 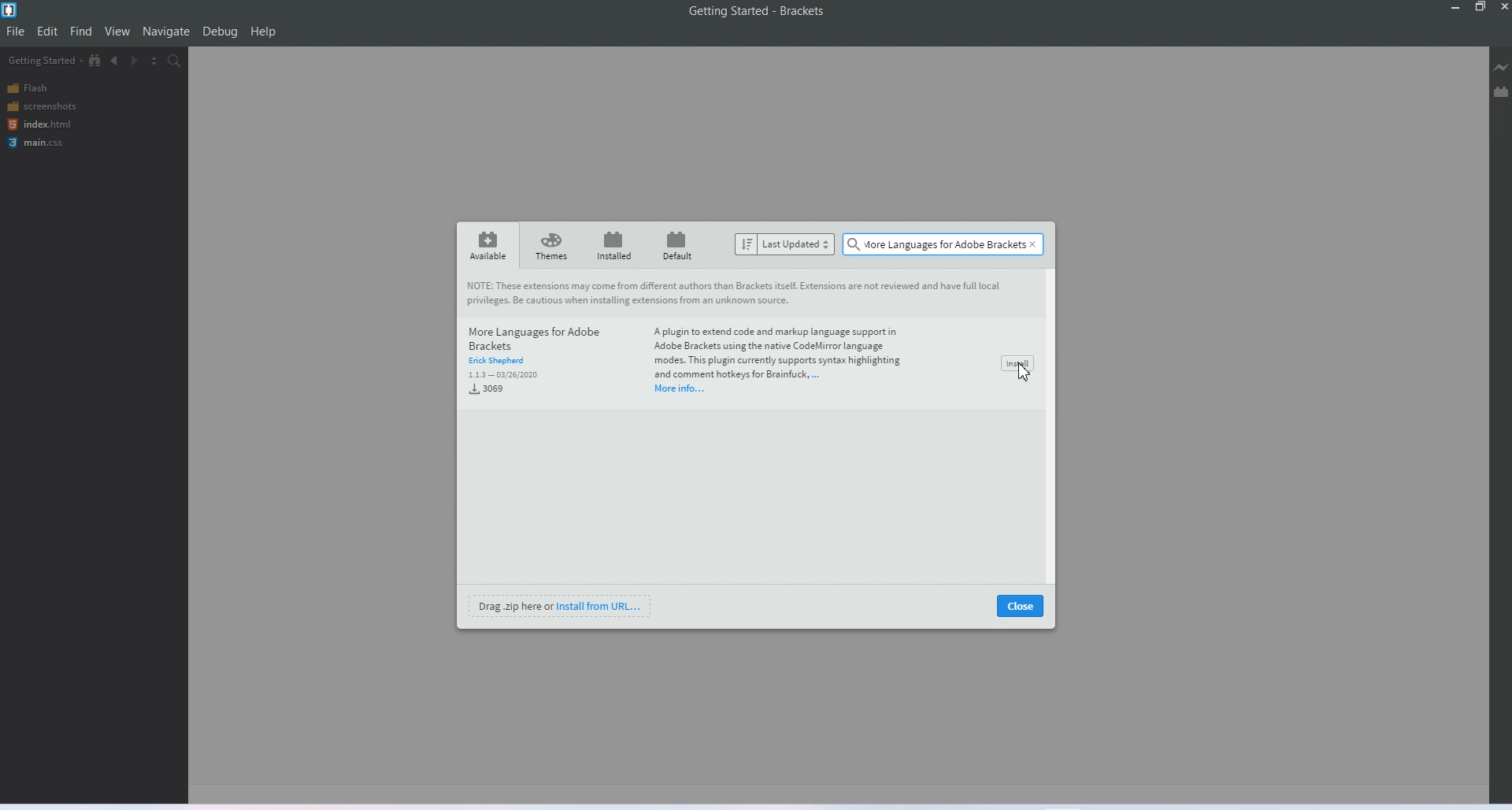 I want to click on Getting started, so click(x=719, y=10).